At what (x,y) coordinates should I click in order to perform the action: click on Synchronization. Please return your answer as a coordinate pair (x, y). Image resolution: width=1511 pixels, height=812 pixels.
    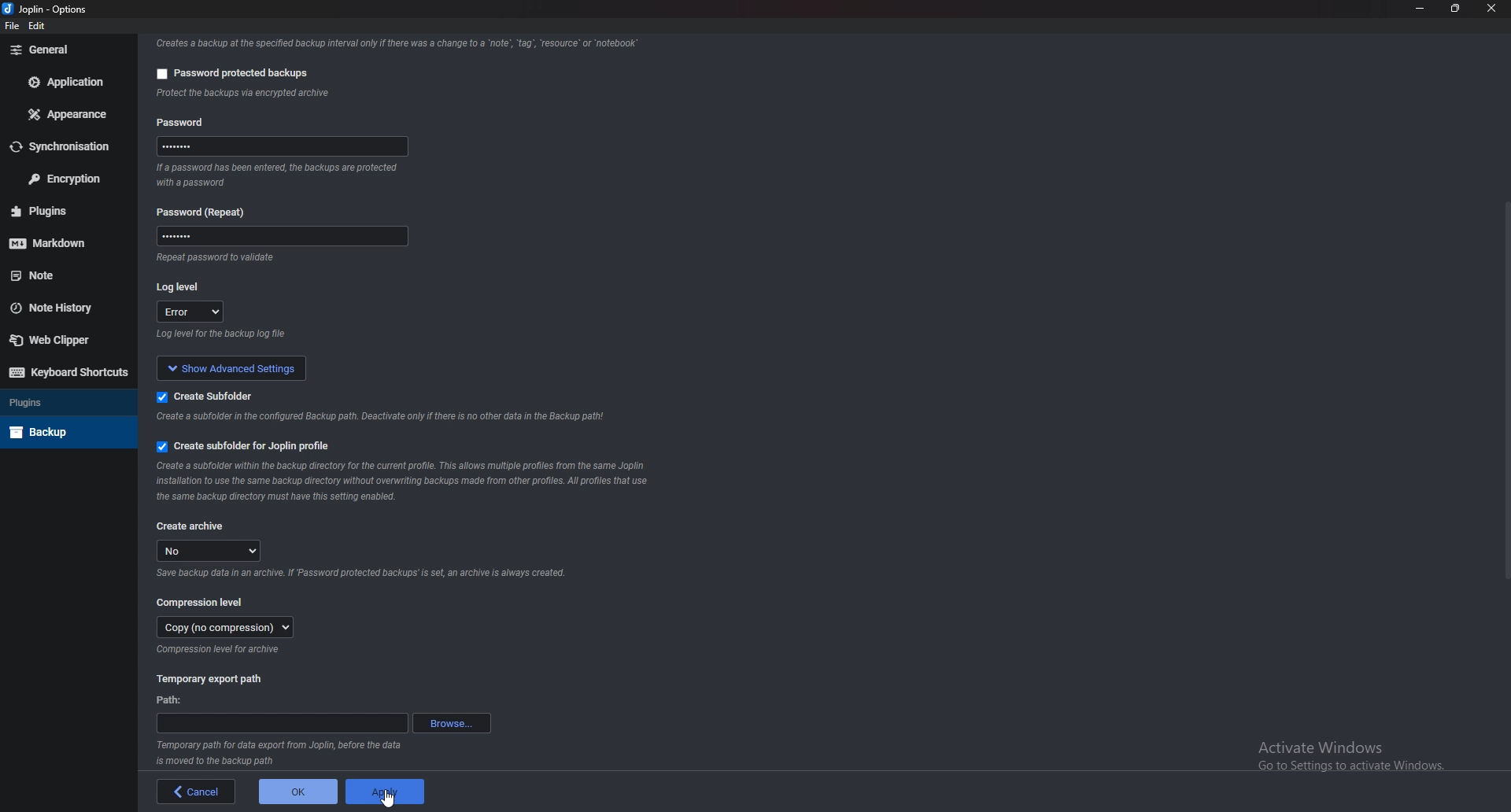
    Looking at the image, I should click on (68, 146).